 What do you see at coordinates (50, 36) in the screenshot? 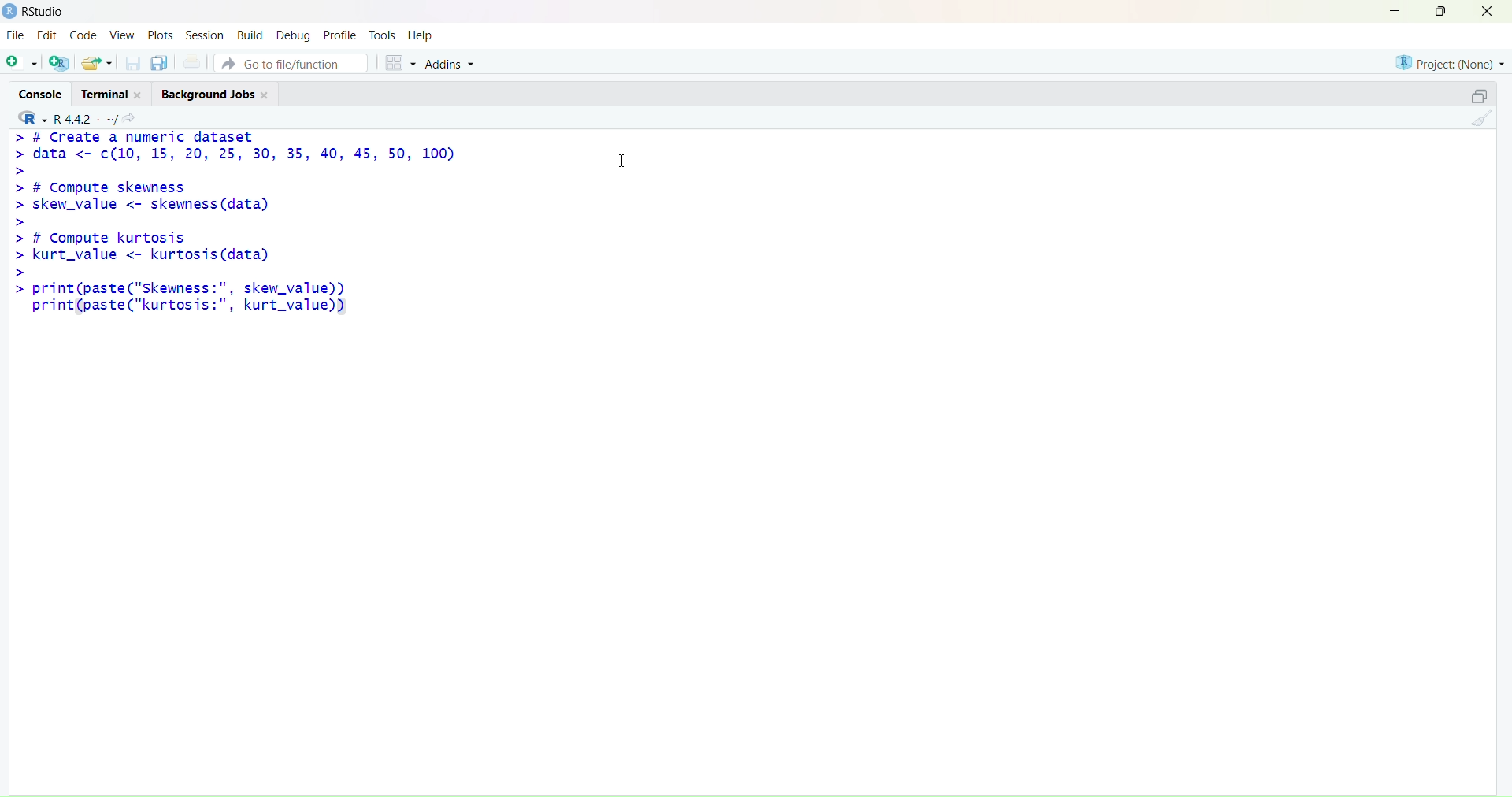
I see `Edit` at bounding box center [50, 36].